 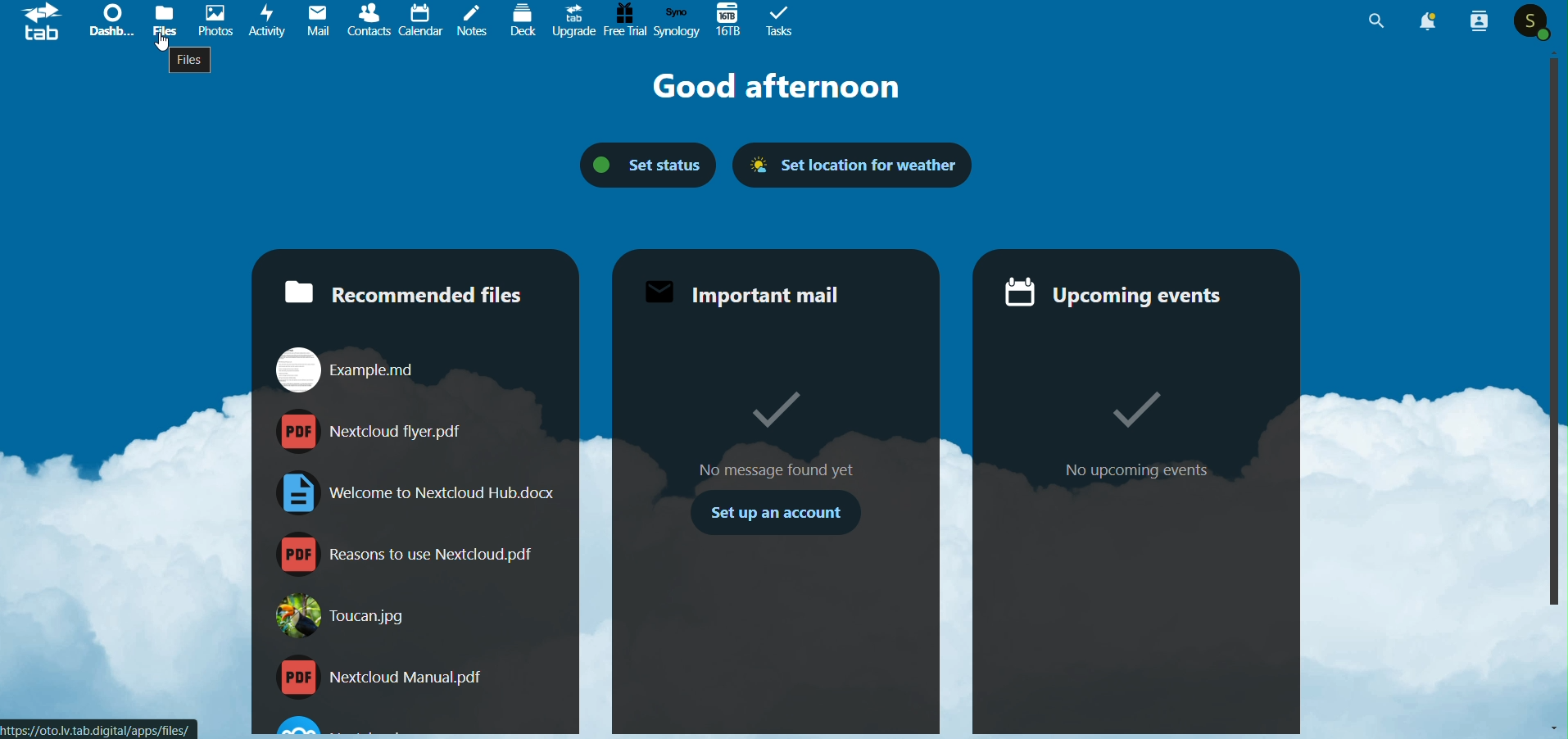 I want to click on Scroll Down, so click(x=1552, y=727).